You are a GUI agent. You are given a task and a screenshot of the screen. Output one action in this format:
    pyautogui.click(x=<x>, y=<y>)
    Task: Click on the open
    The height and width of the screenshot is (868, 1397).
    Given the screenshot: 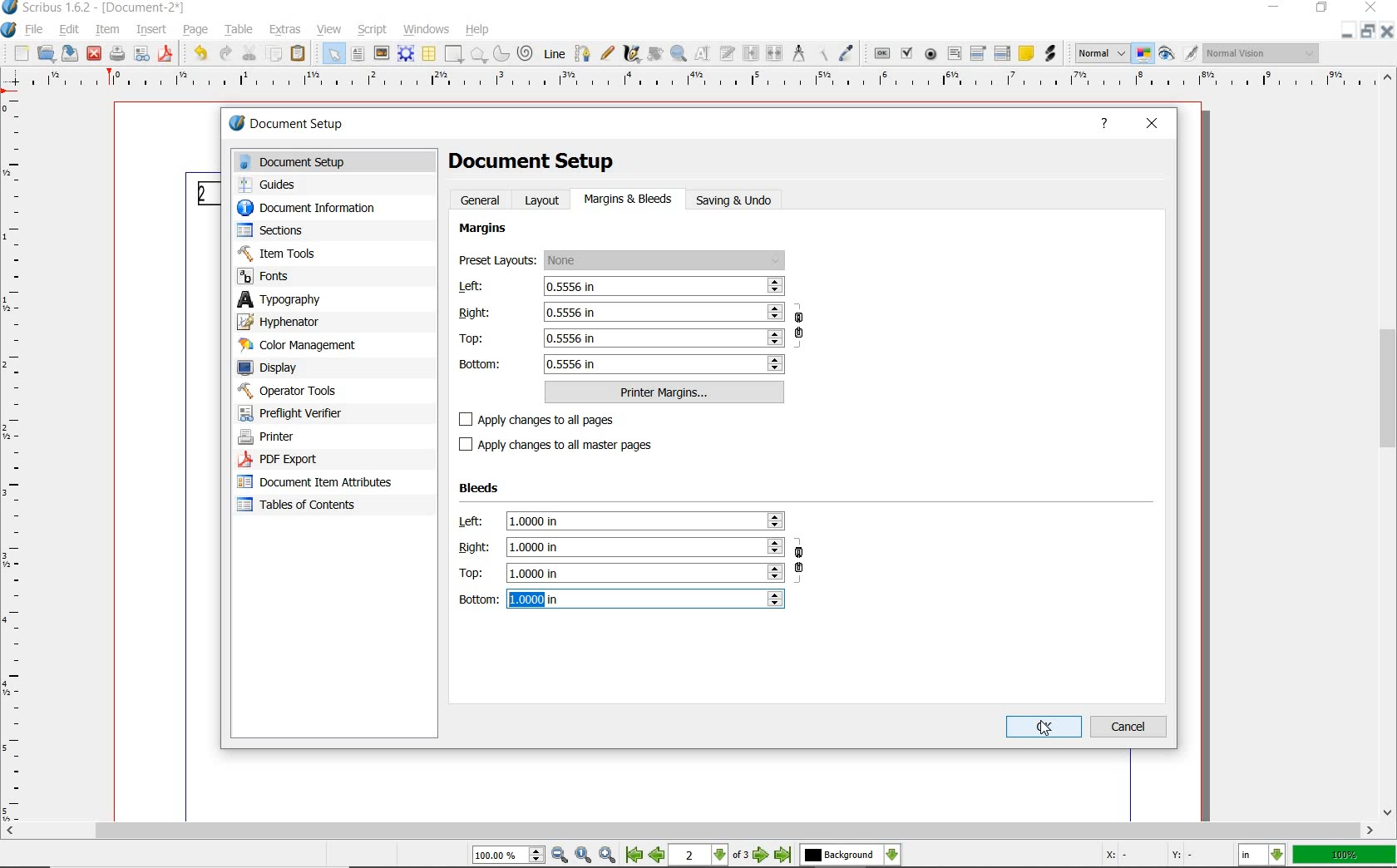 What is the action you would take?
    pyautogui.click(x=47, y=55)
    